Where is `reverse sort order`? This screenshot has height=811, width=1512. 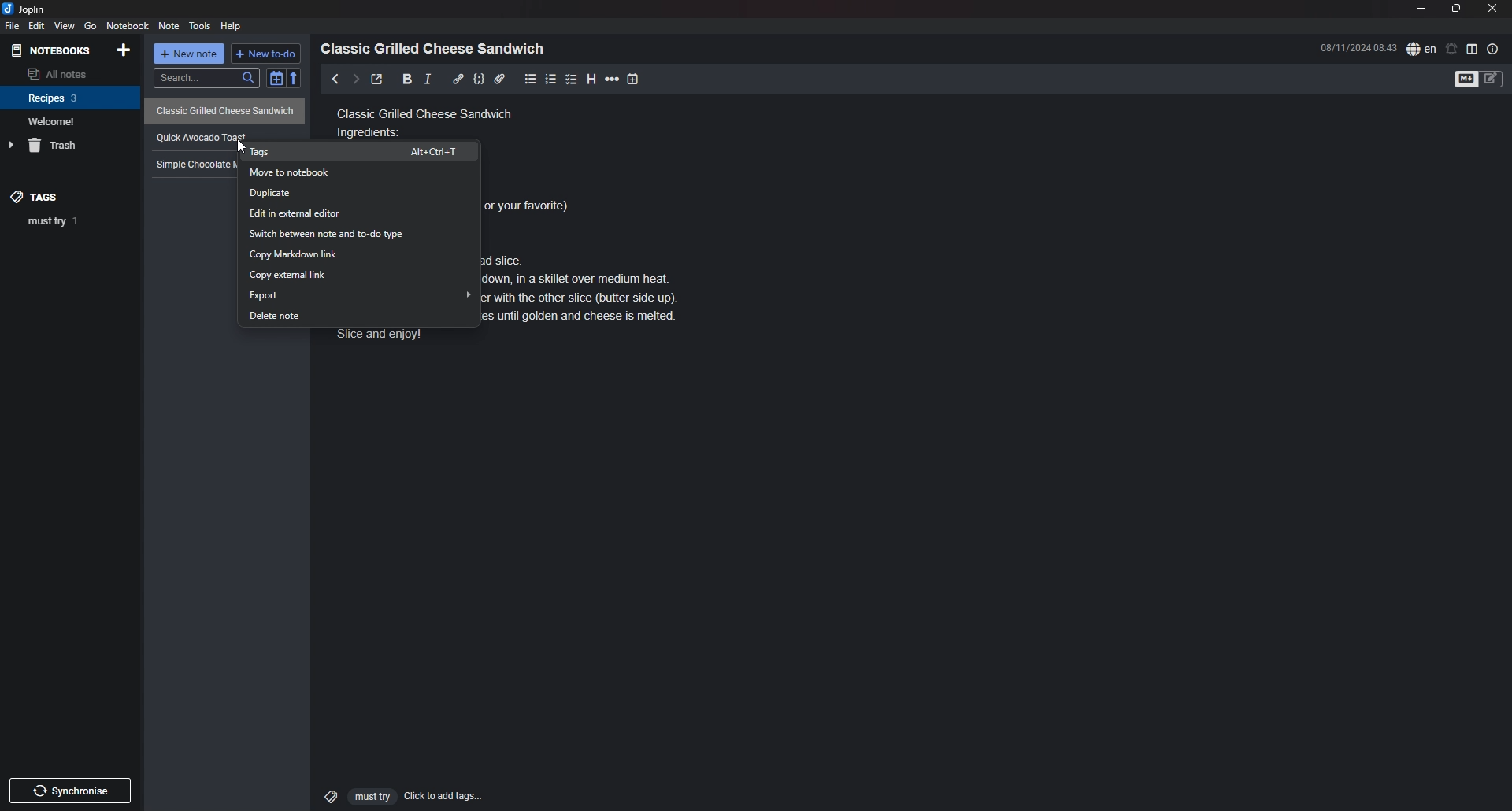 reverse sort order is located at coordinates (297, 79).